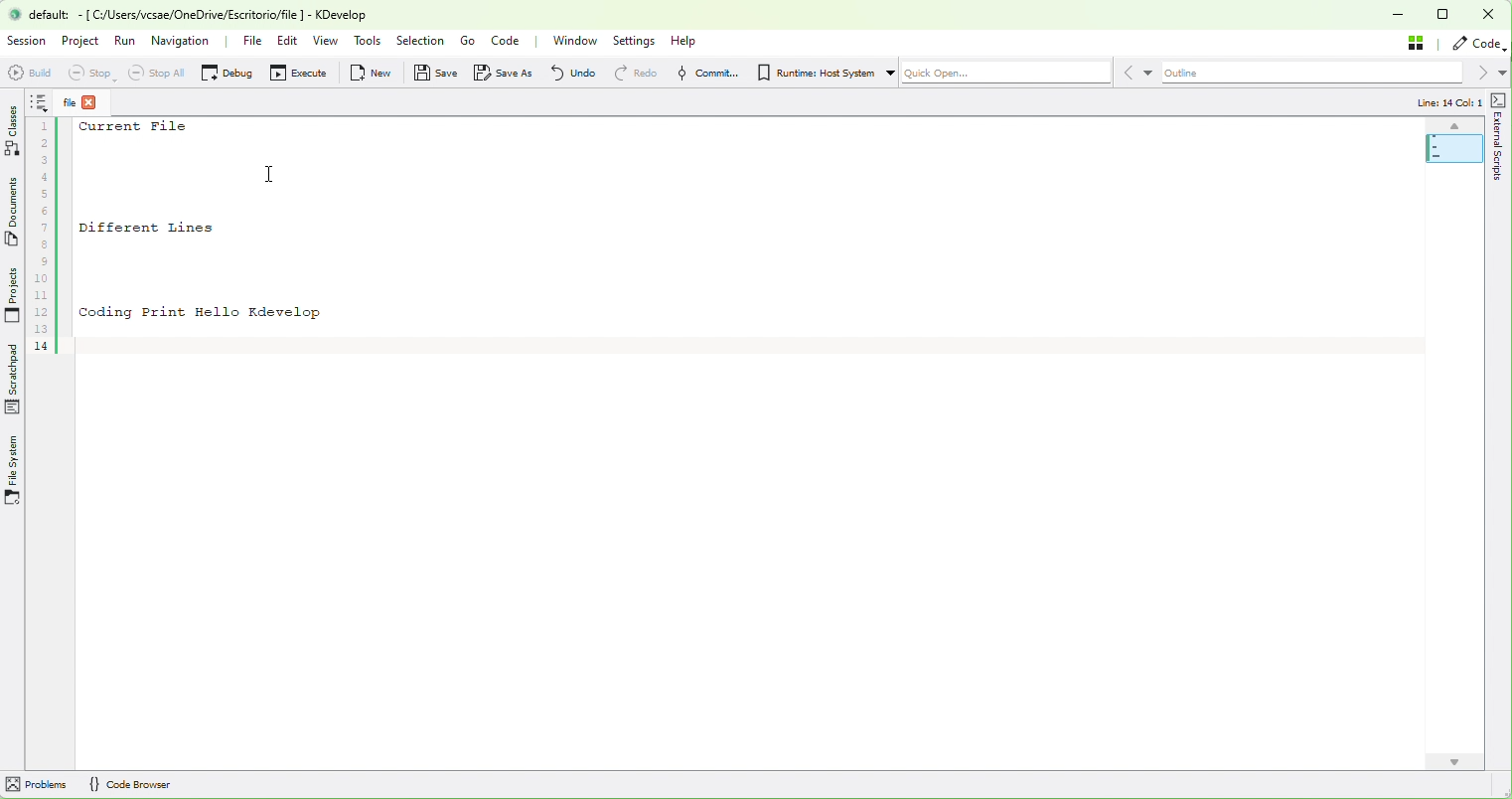 Image resolution: width=1512 pixels, height=799 pixels. Describe the element at coordinates (90, 102) in the screenshot. I see `close tab` at that location.